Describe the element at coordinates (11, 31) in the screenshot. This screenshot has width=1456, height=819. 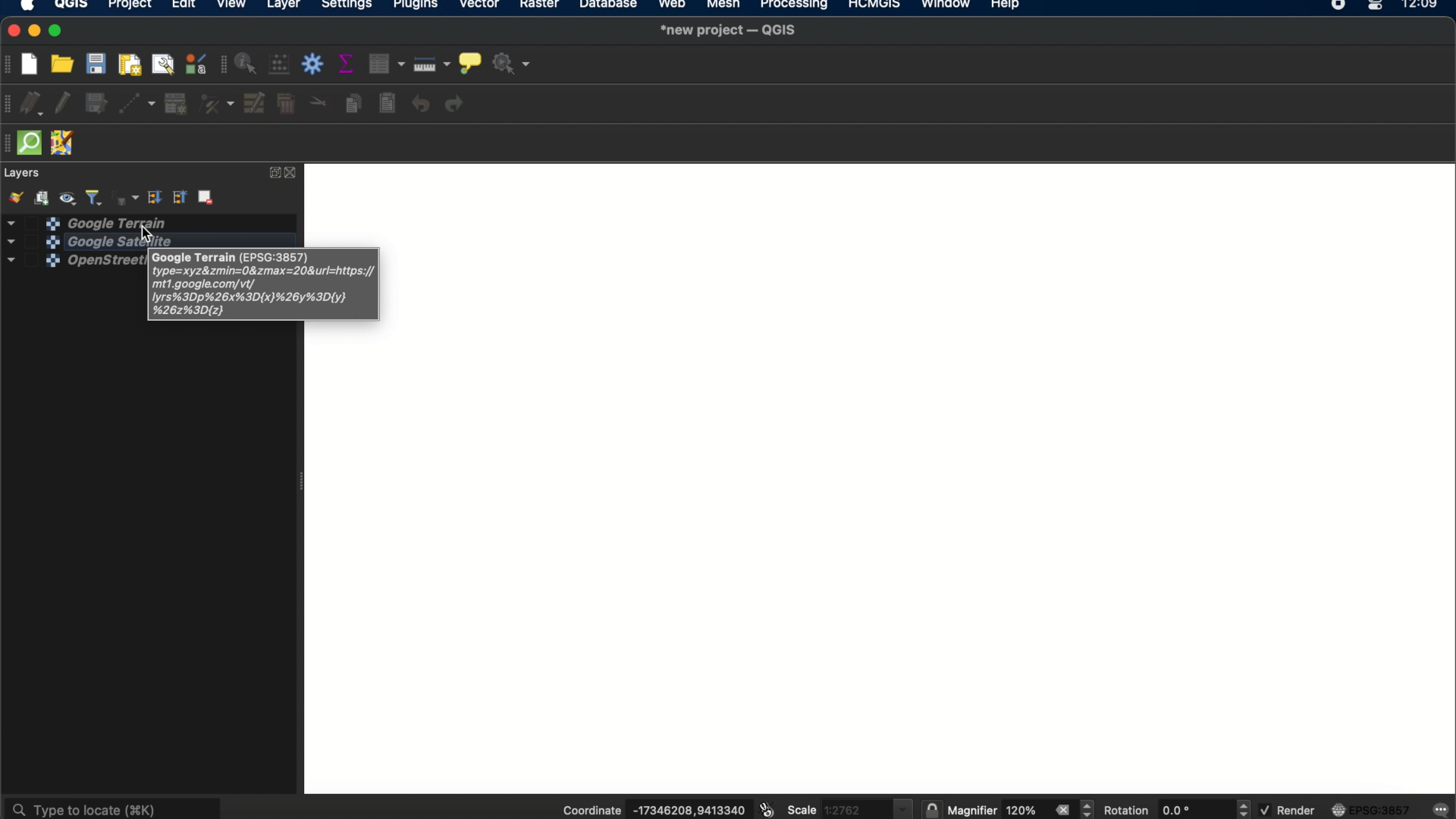
I see `close` at that location.